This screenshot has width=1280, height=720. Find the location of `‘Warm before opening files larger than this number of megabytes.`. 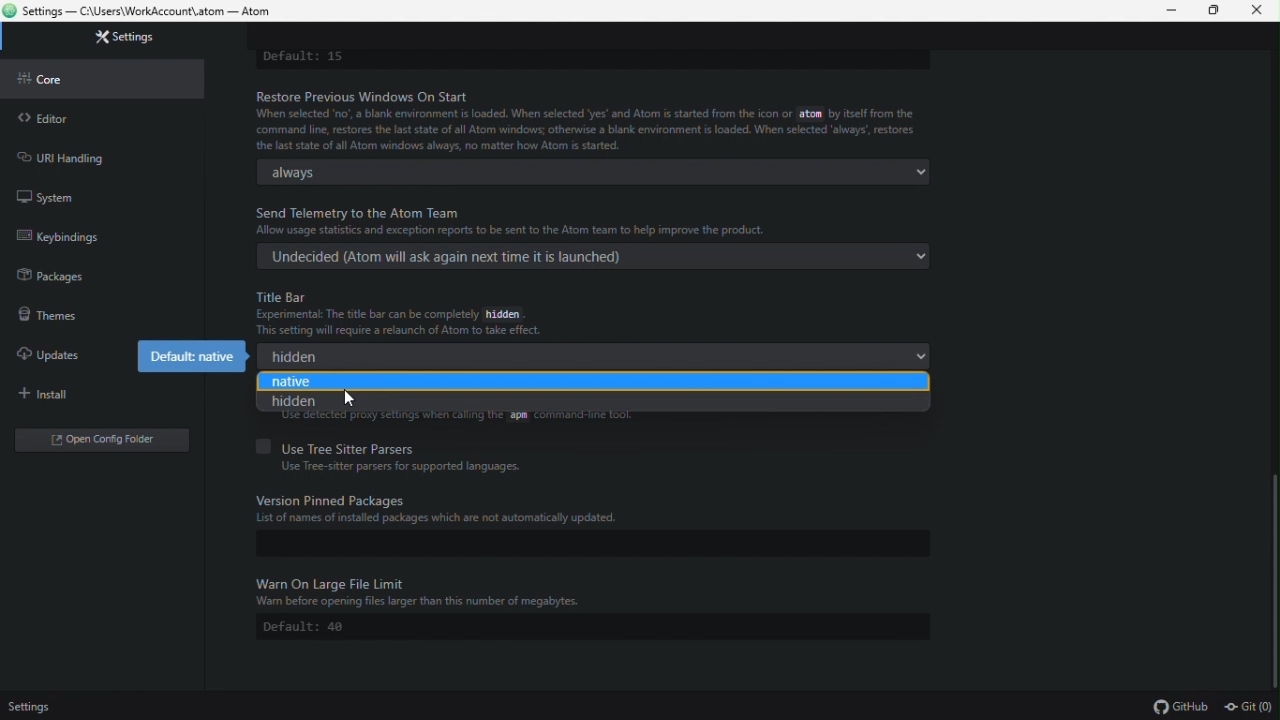

‘Warm before opening files larger than this number of megabytes. is located at coordinates (423, 603).